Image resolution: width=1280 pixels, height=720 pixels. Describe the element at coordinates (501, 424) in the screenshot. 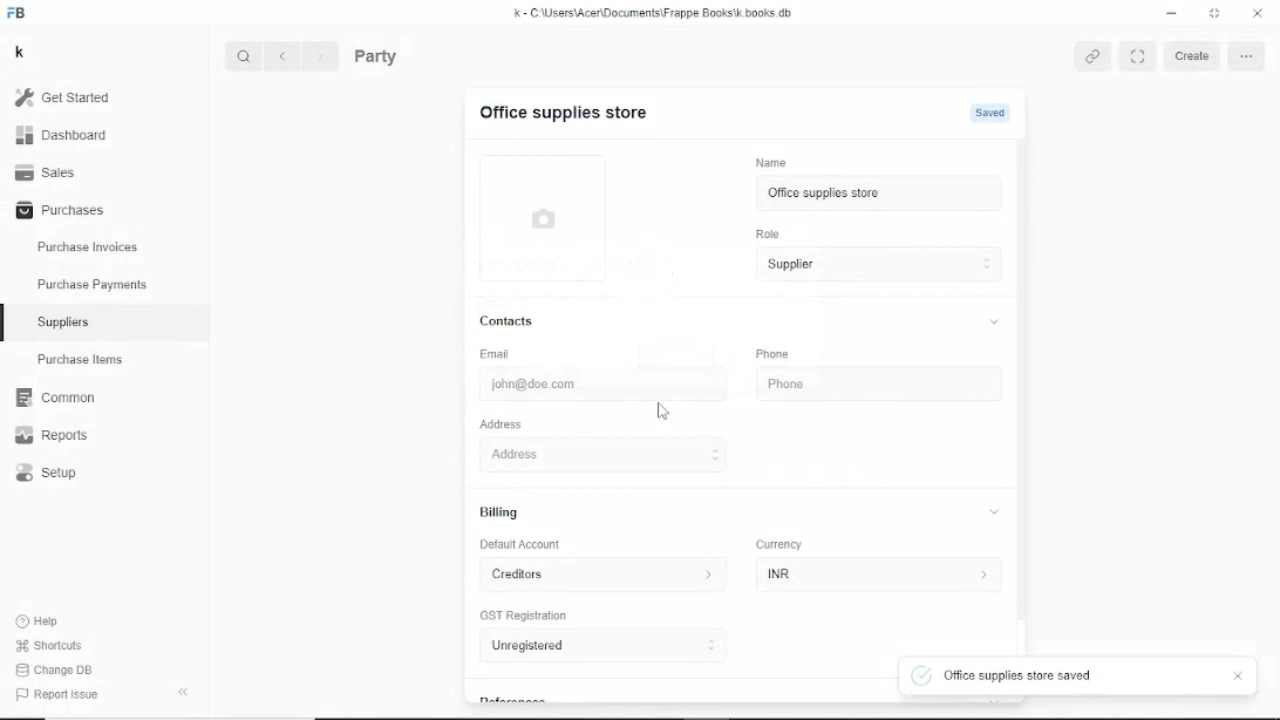

I see `Address` at that location.